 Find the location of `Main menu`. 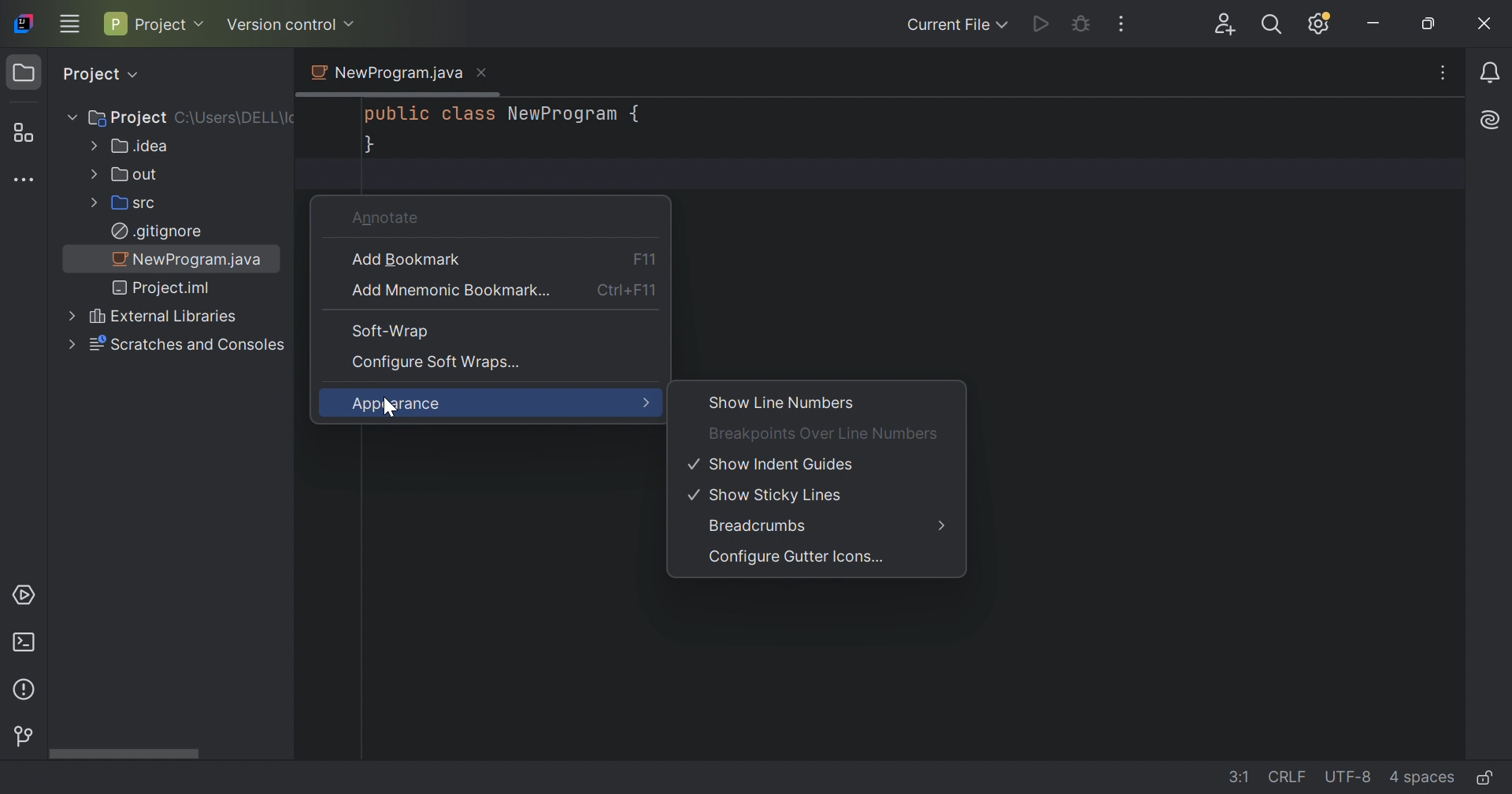

Main menu is located at coordinates (69, 23).